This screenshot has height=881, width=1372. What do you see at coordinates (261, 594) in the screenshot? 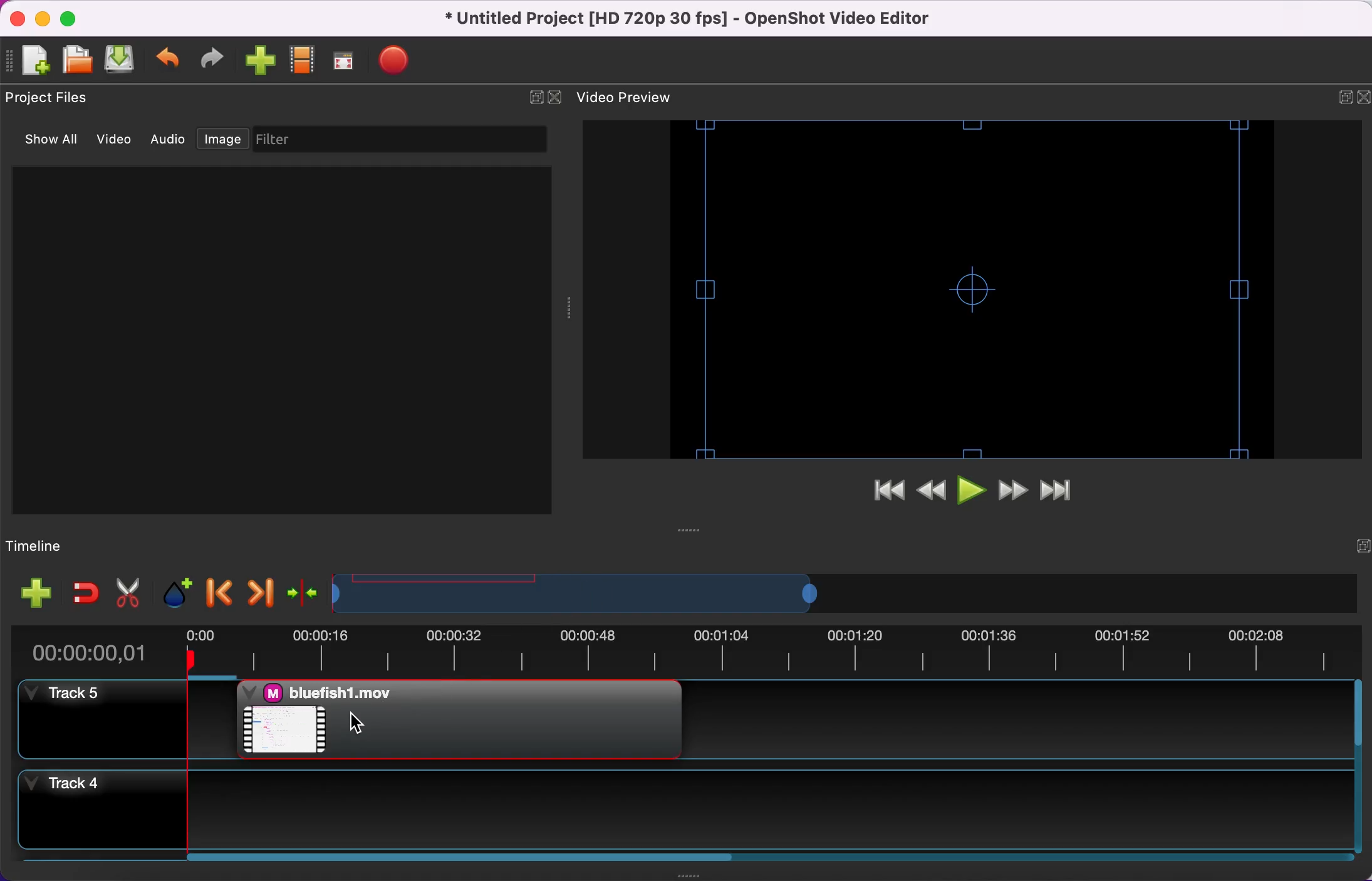
I see `next marker` at bounding box center [261, 594].